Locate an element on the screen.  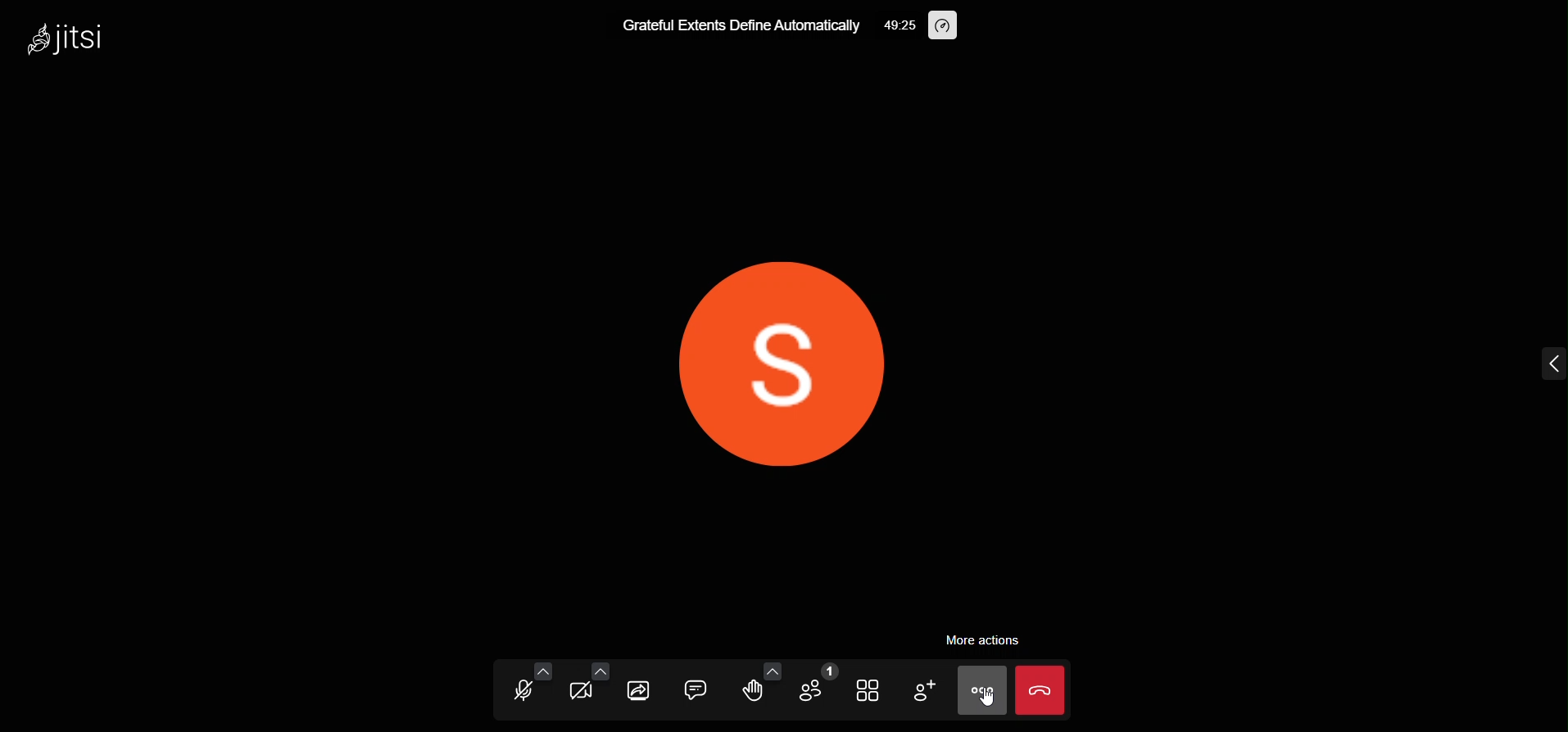
display picture is located at coordinates (786, 359).